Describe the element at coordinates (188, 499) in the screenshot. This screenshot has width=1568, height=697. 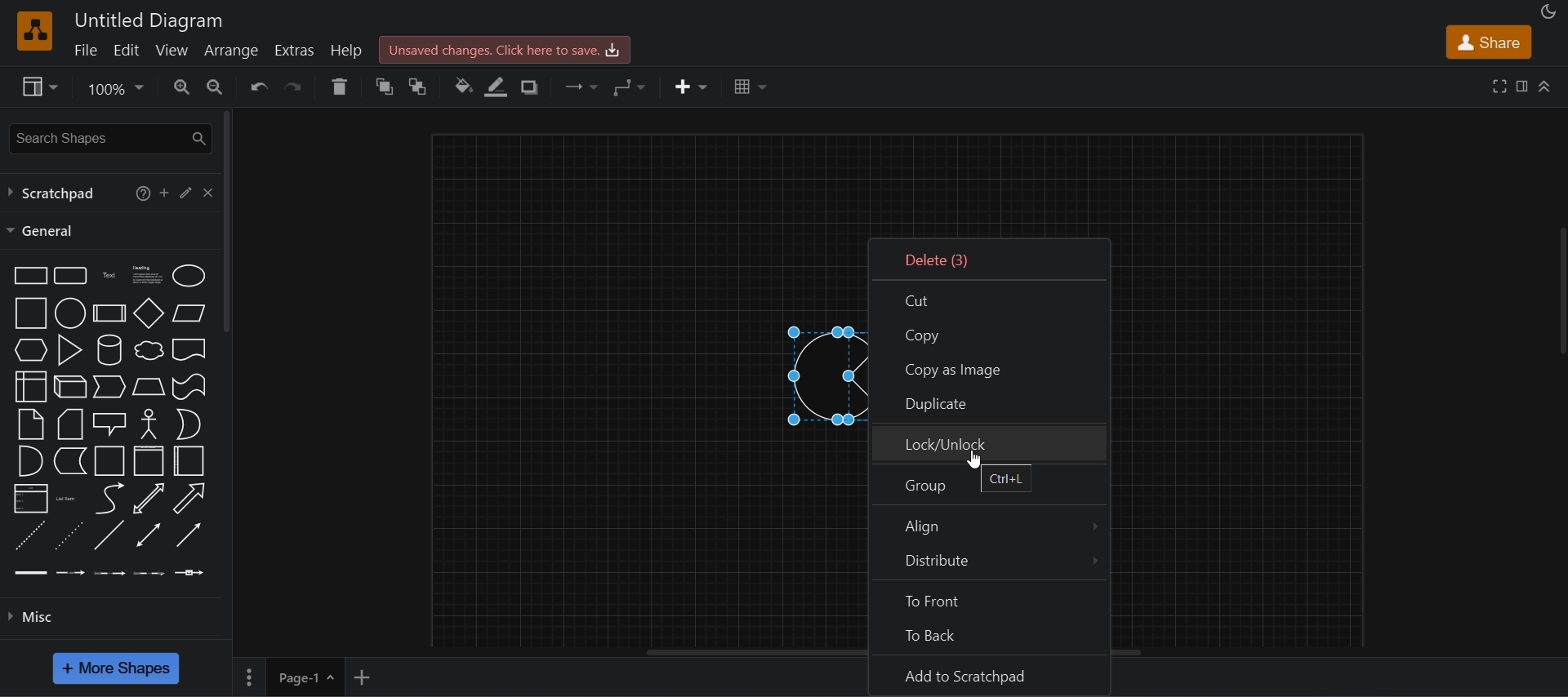
I see `Arrow` at that location.